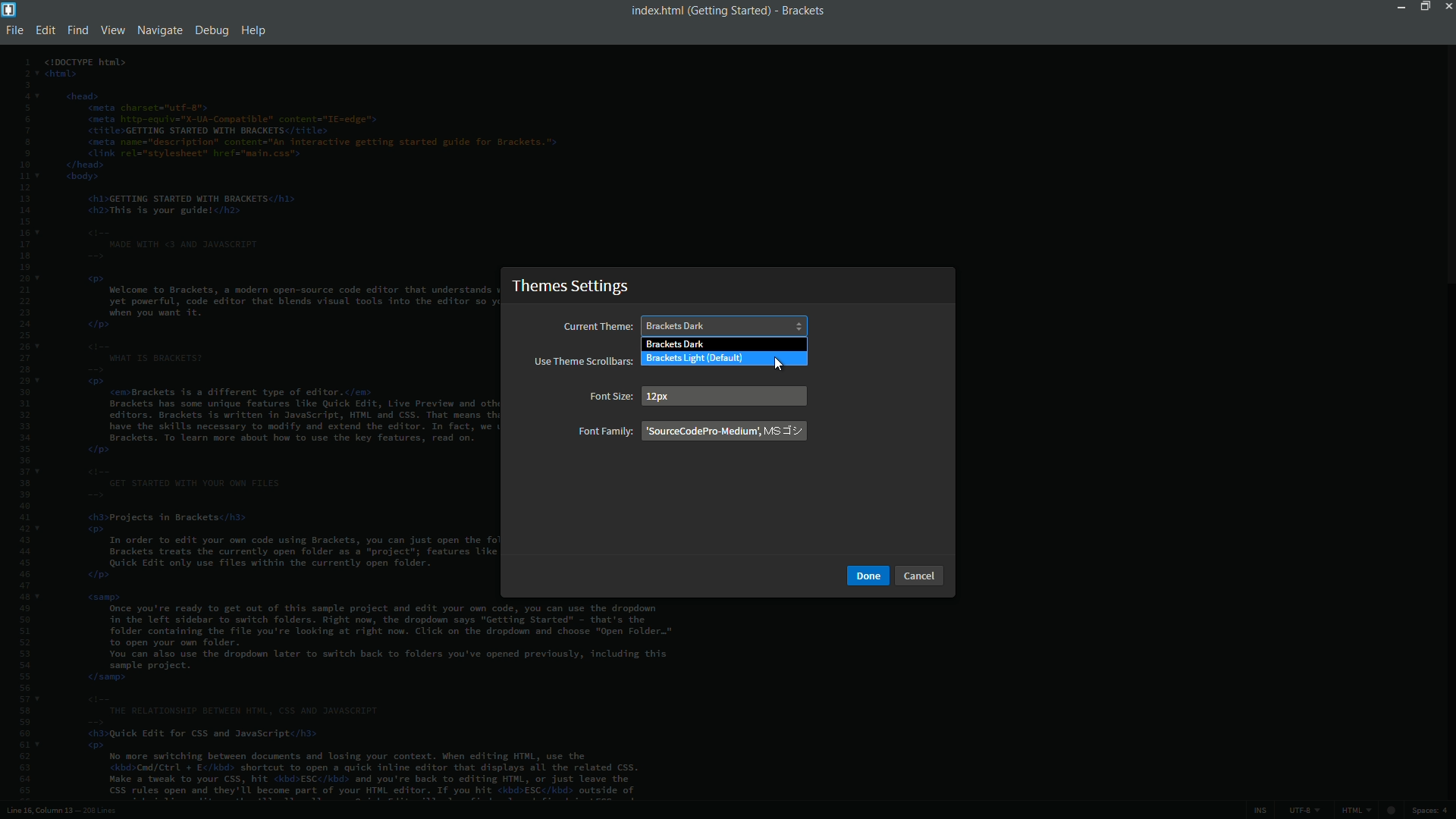  I want to click on find menu, so click(76, 31).